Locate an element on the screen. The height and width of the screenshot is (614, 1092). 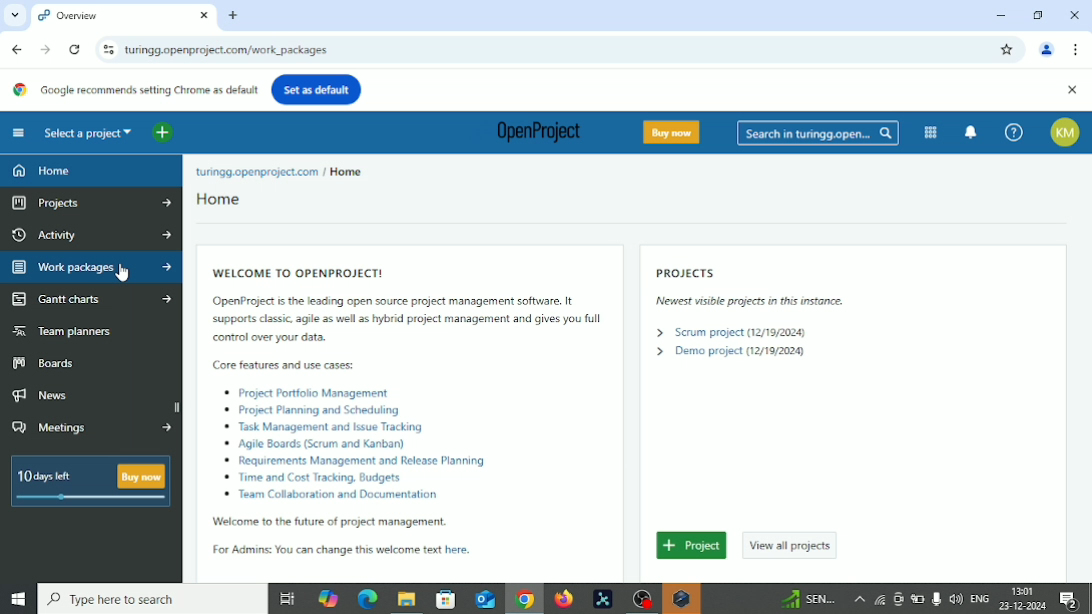
For Admins: You can change this welcome text is located at coordinates (315, 550).